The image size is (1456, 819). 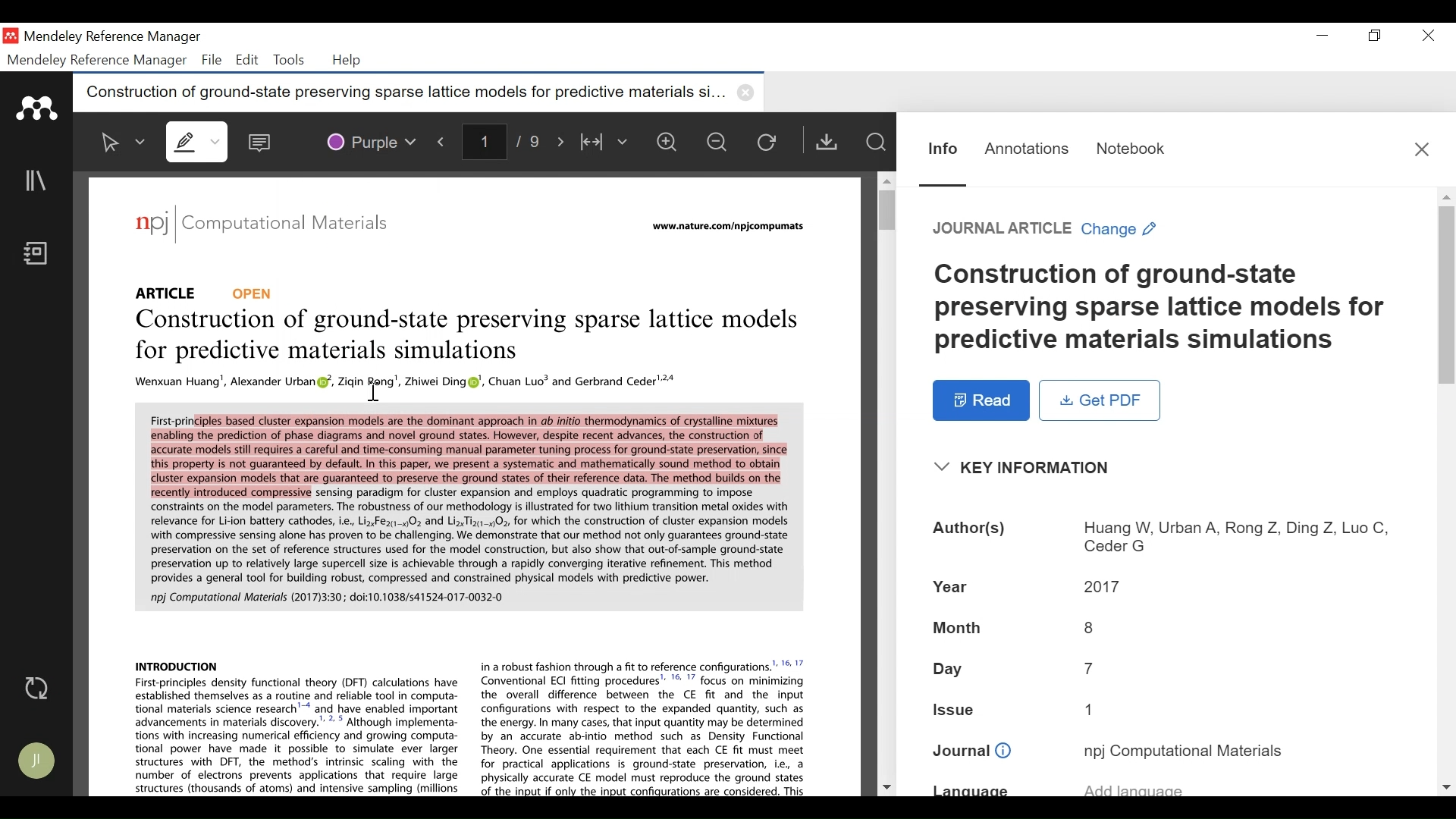 What do you see at coordinates (1122, 229) in the screenshot?
I see `Change` at bounding box center [1122, 229].